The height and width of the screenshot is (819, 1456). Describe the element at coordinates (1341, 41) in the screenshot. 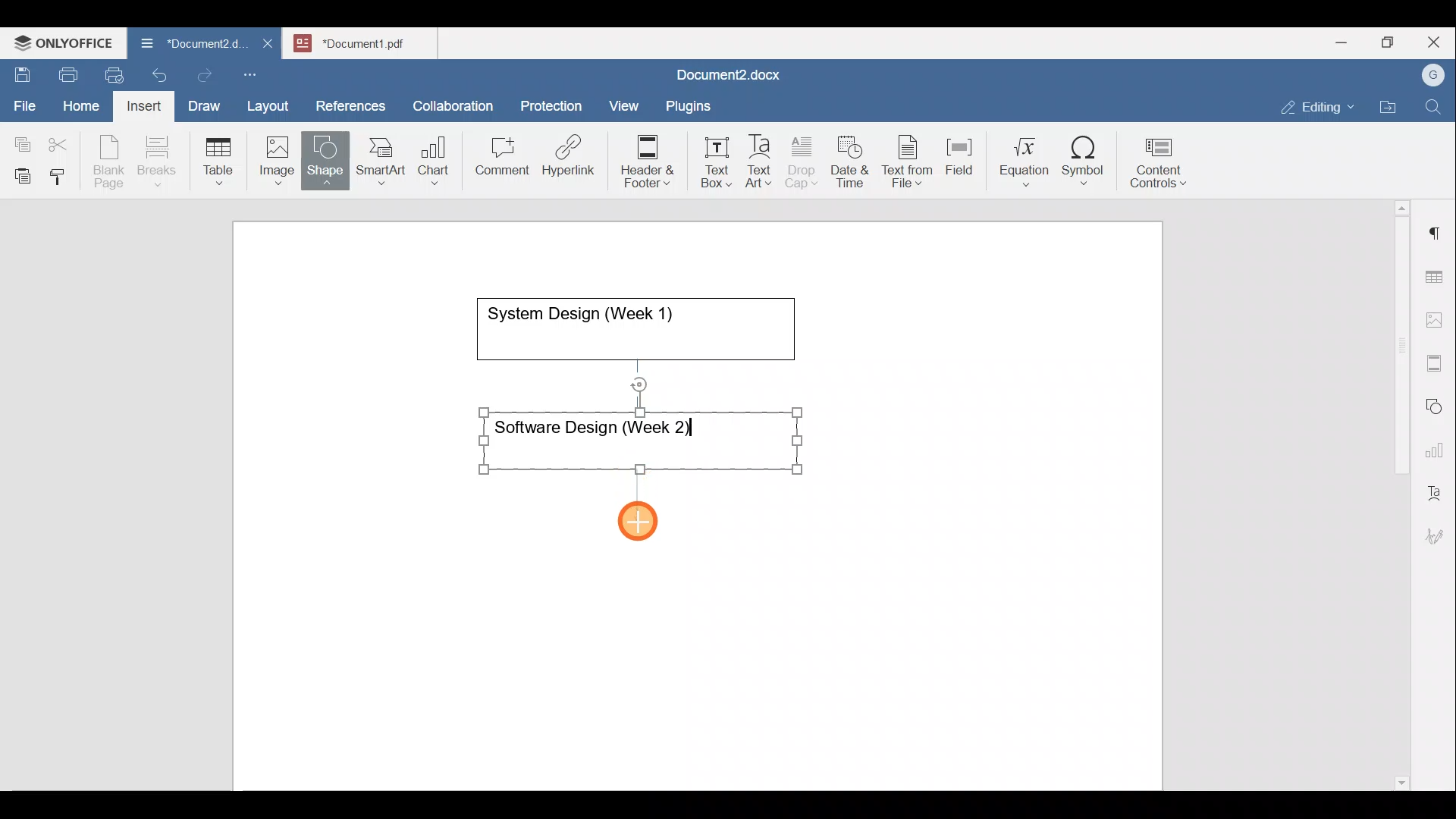

I see `Minimize` at that location.